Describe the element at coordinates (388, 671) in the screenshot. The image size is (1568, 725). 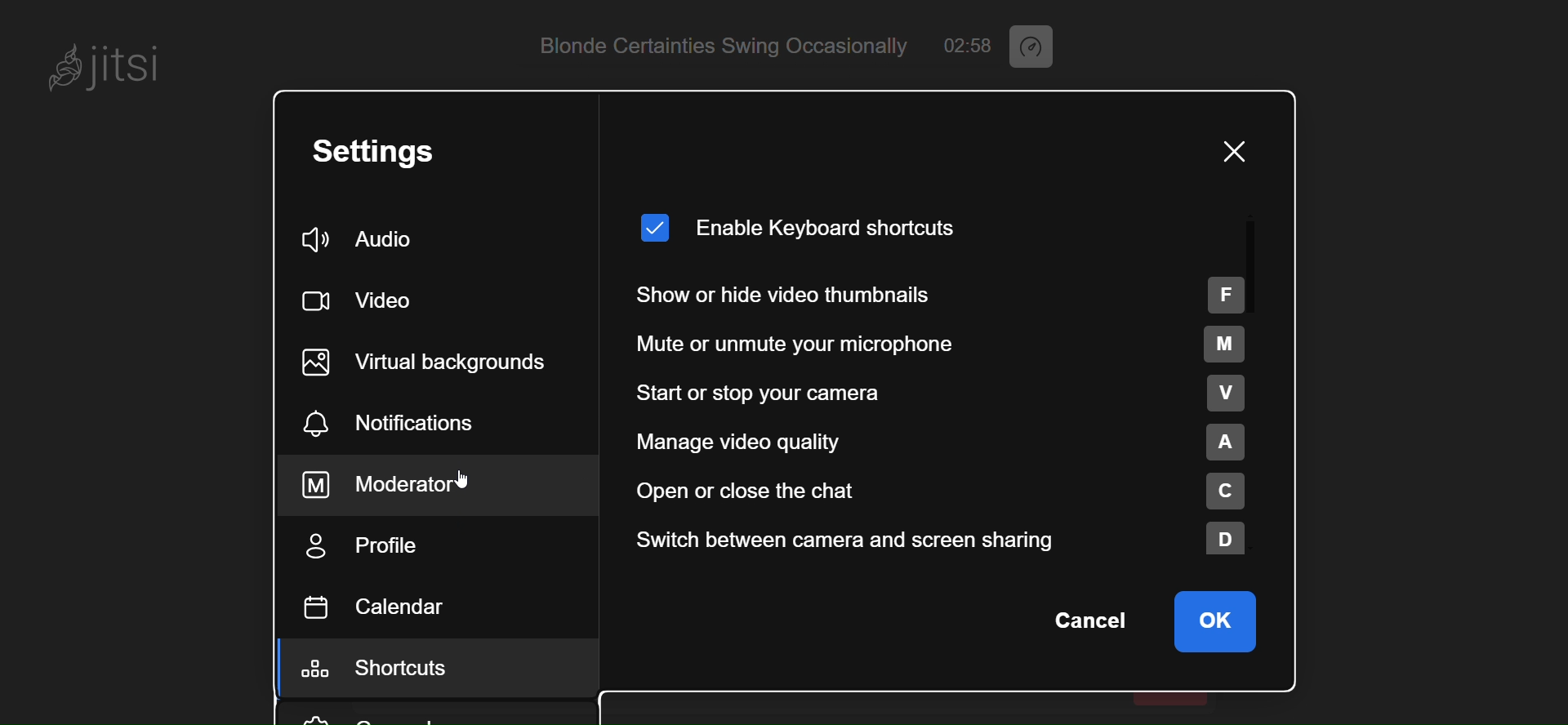
I see `shortcut` at that location.